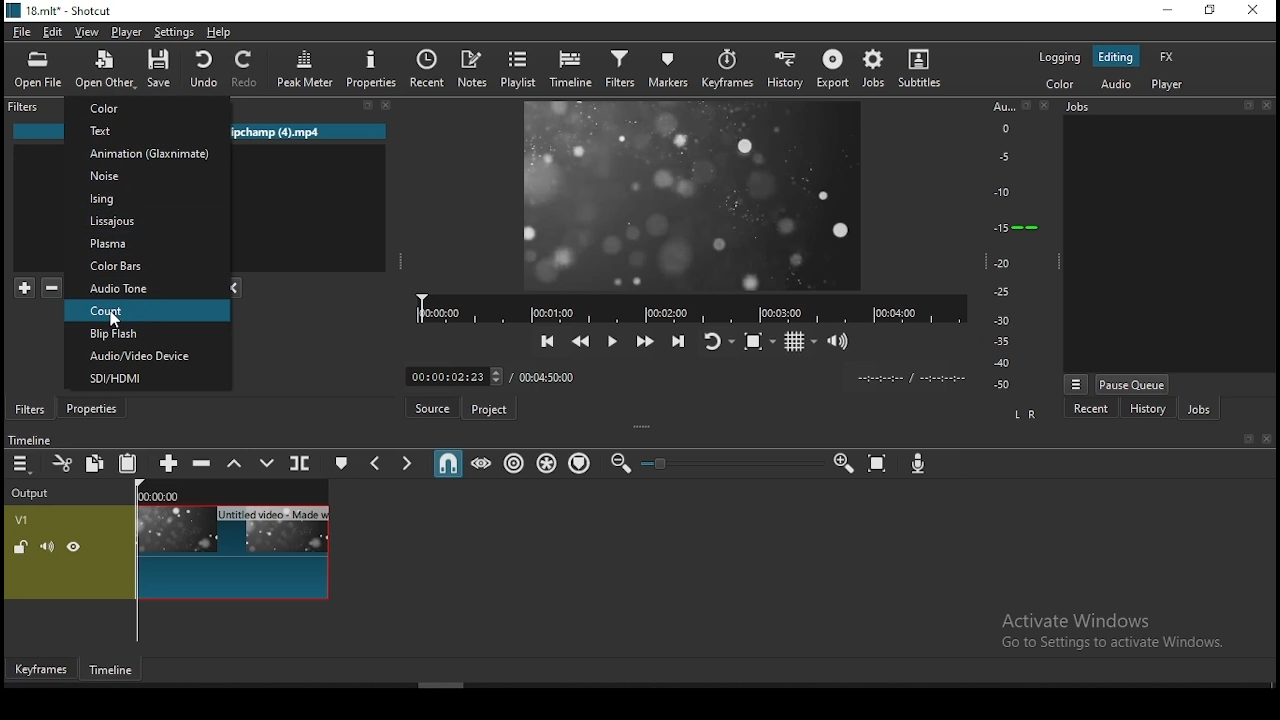 This screenshot has height=720, width=1280. What do you see at coordinates (843, 464) in the screenshot?
I see `zoom timeline in` at bounding box center [843, 464].